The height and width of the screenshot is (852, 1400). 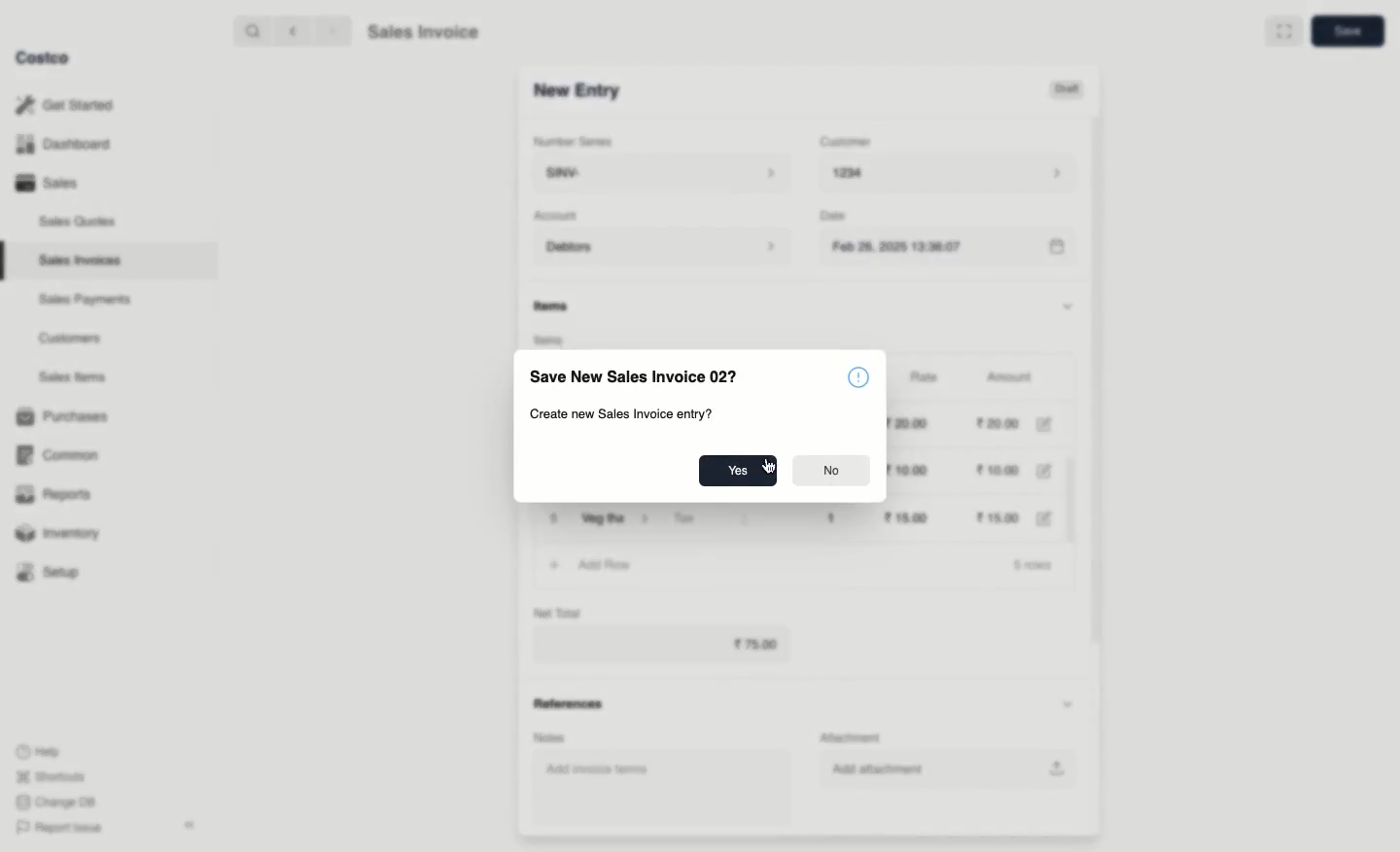 What do you see at coordinates (55, 572) in the screenshot?
I see `Setup` at bounding box center [55, 572].